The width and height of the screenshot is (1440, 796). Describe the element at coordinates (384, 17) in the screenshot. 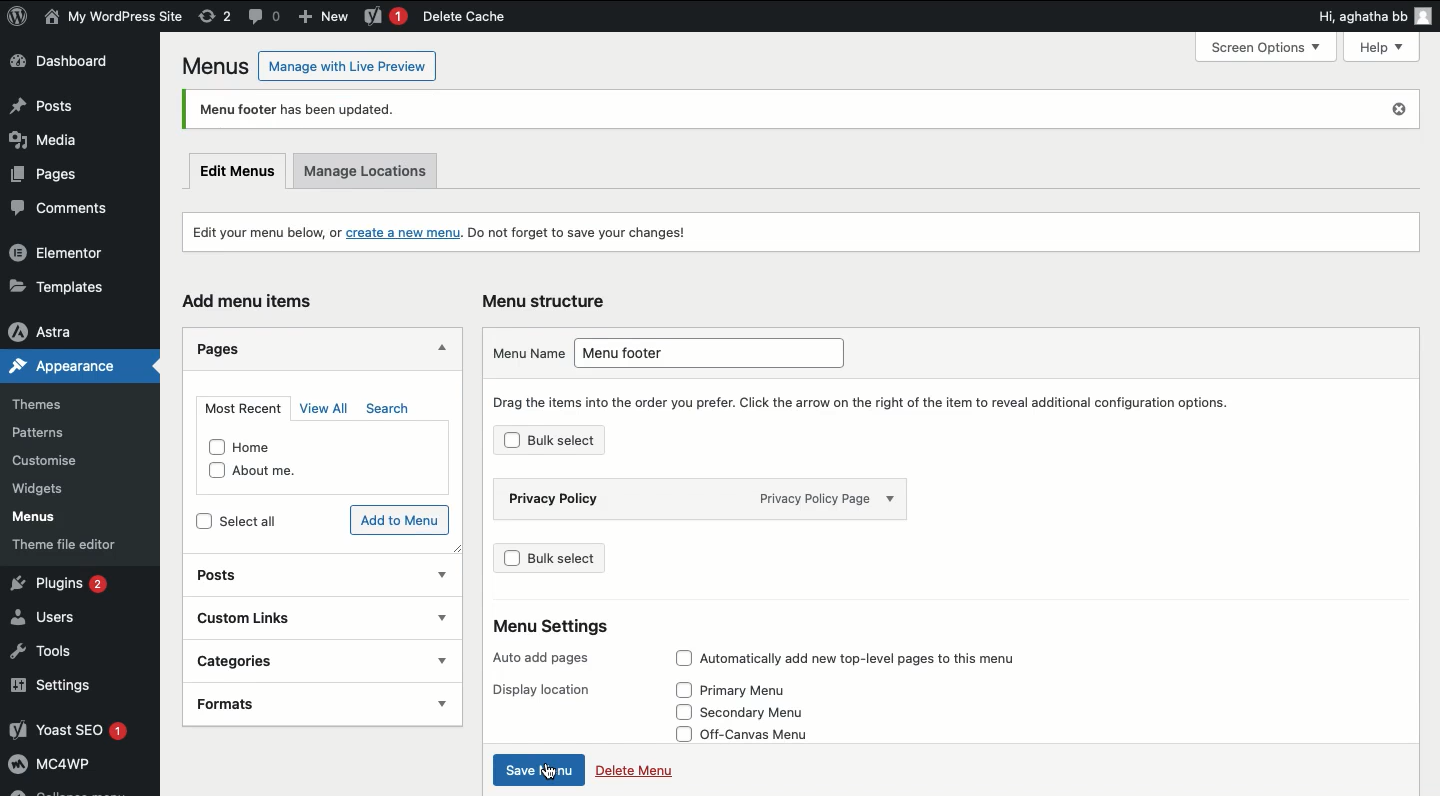

I see `Yoast` at that location.